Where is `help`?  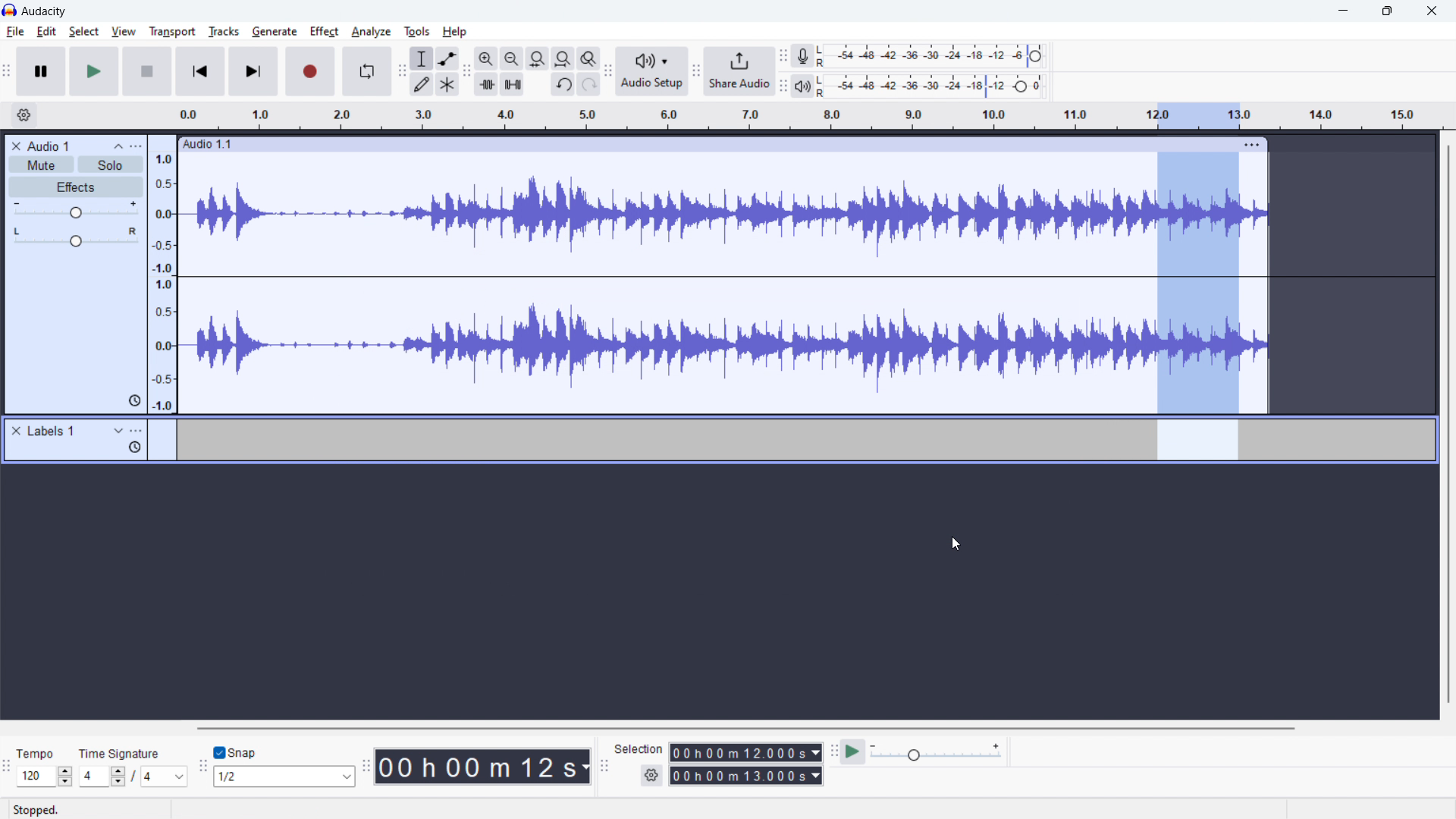 help is located at coordinates (457, 32).